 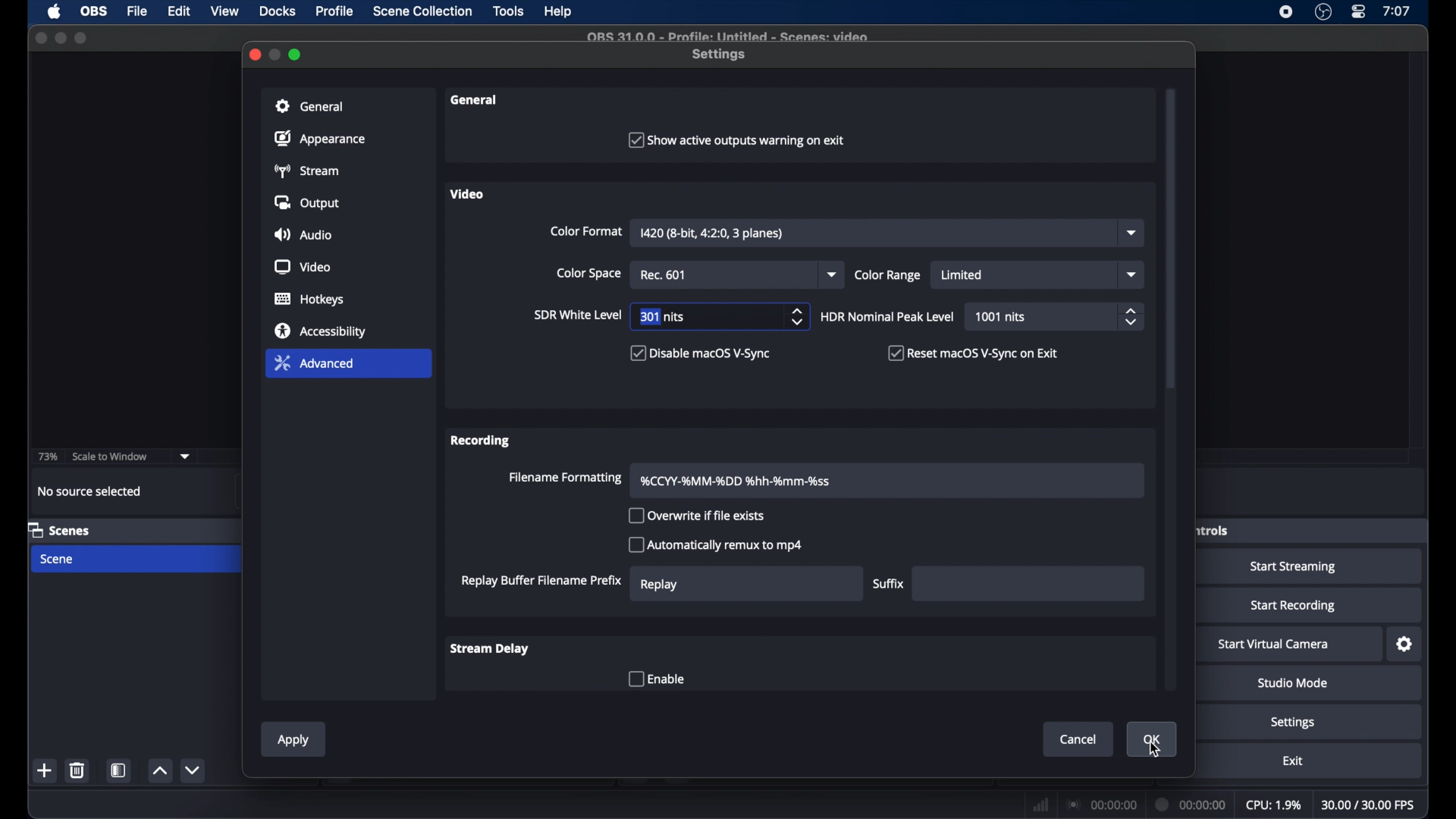 I want to click on cpu, so click(x=1274, y=805).